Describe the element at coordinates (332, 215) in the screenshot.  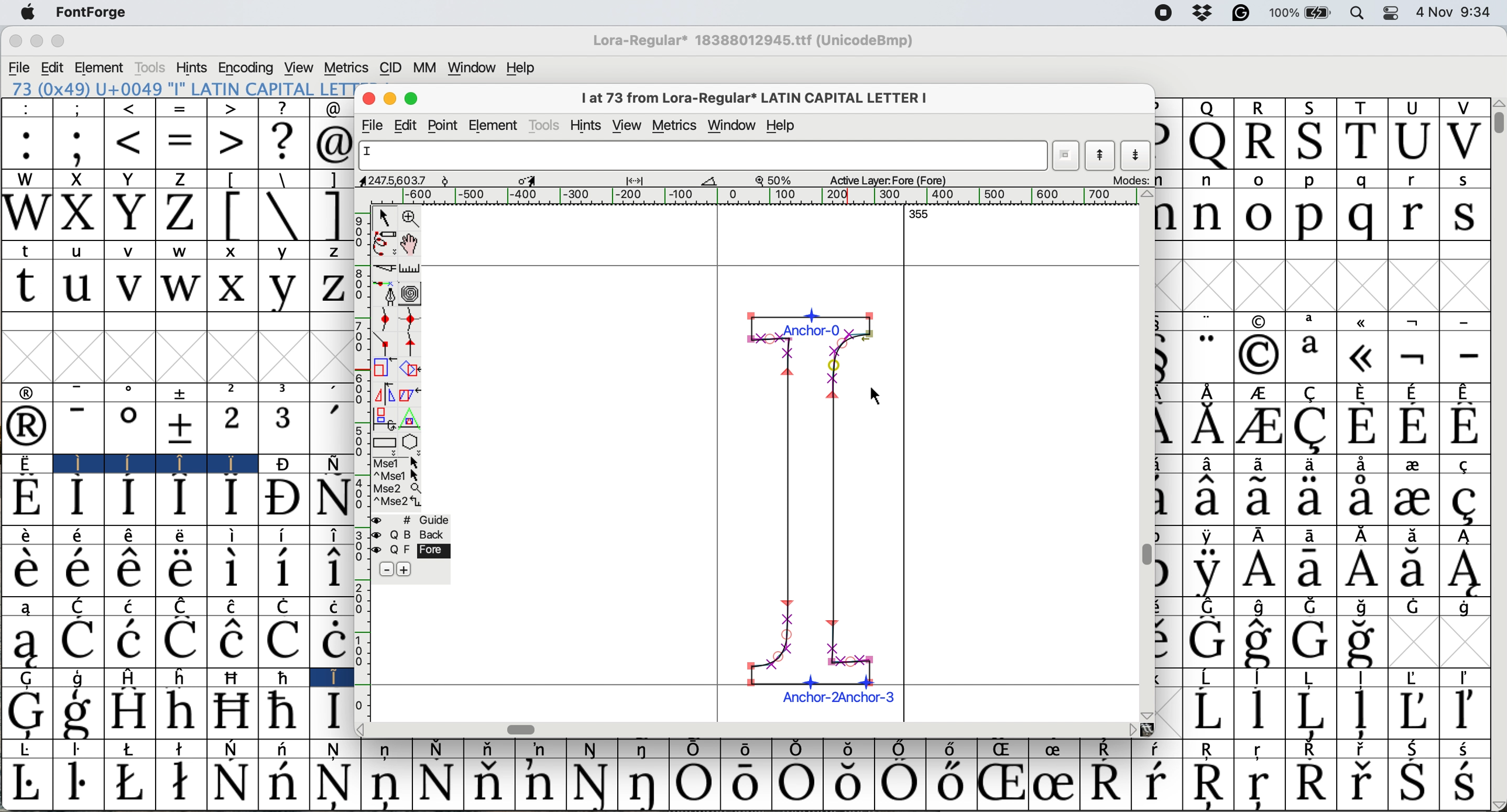
I see `]` at that location.